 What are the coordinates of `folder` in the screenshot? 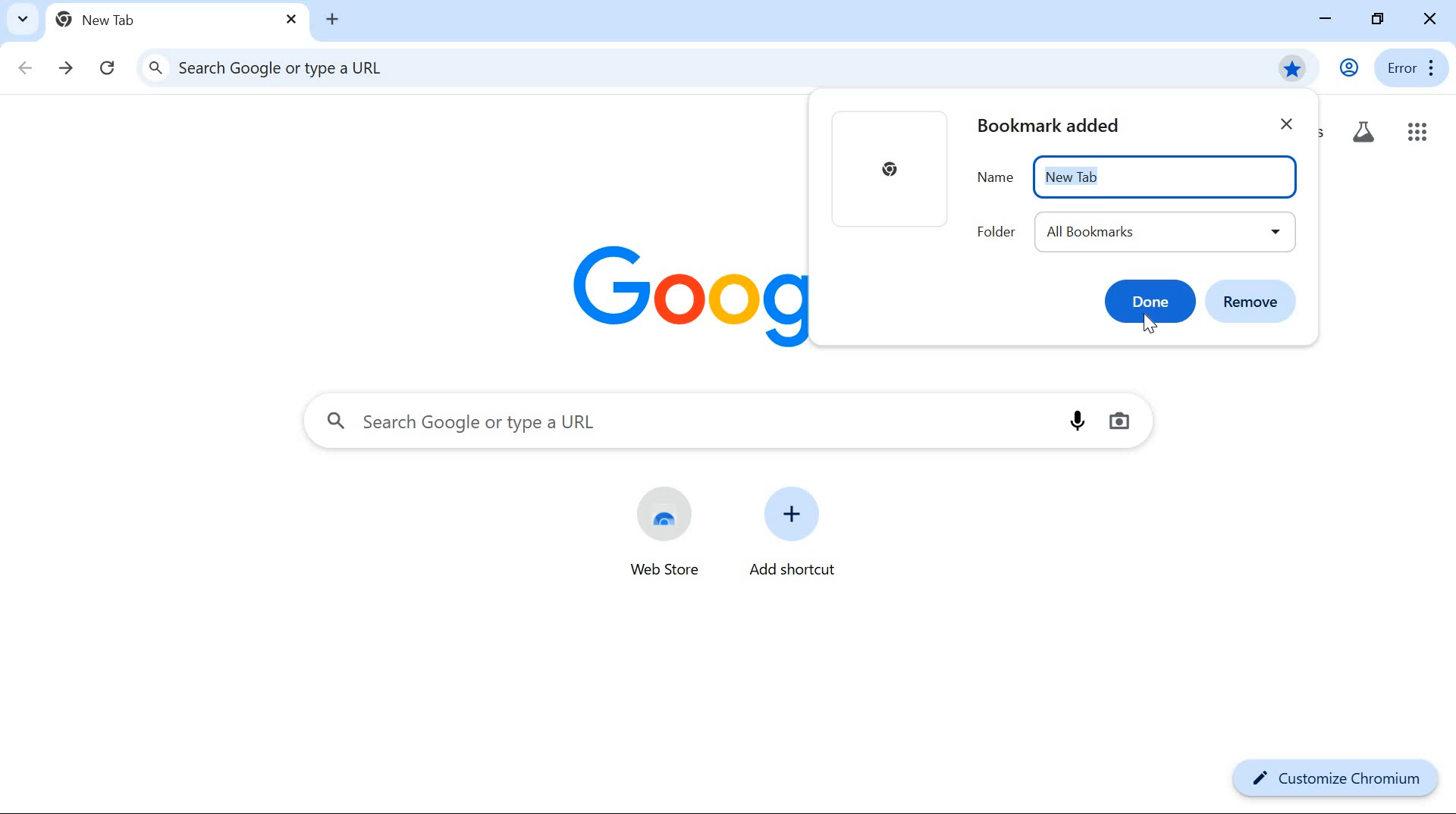 It's located at (990, 230).